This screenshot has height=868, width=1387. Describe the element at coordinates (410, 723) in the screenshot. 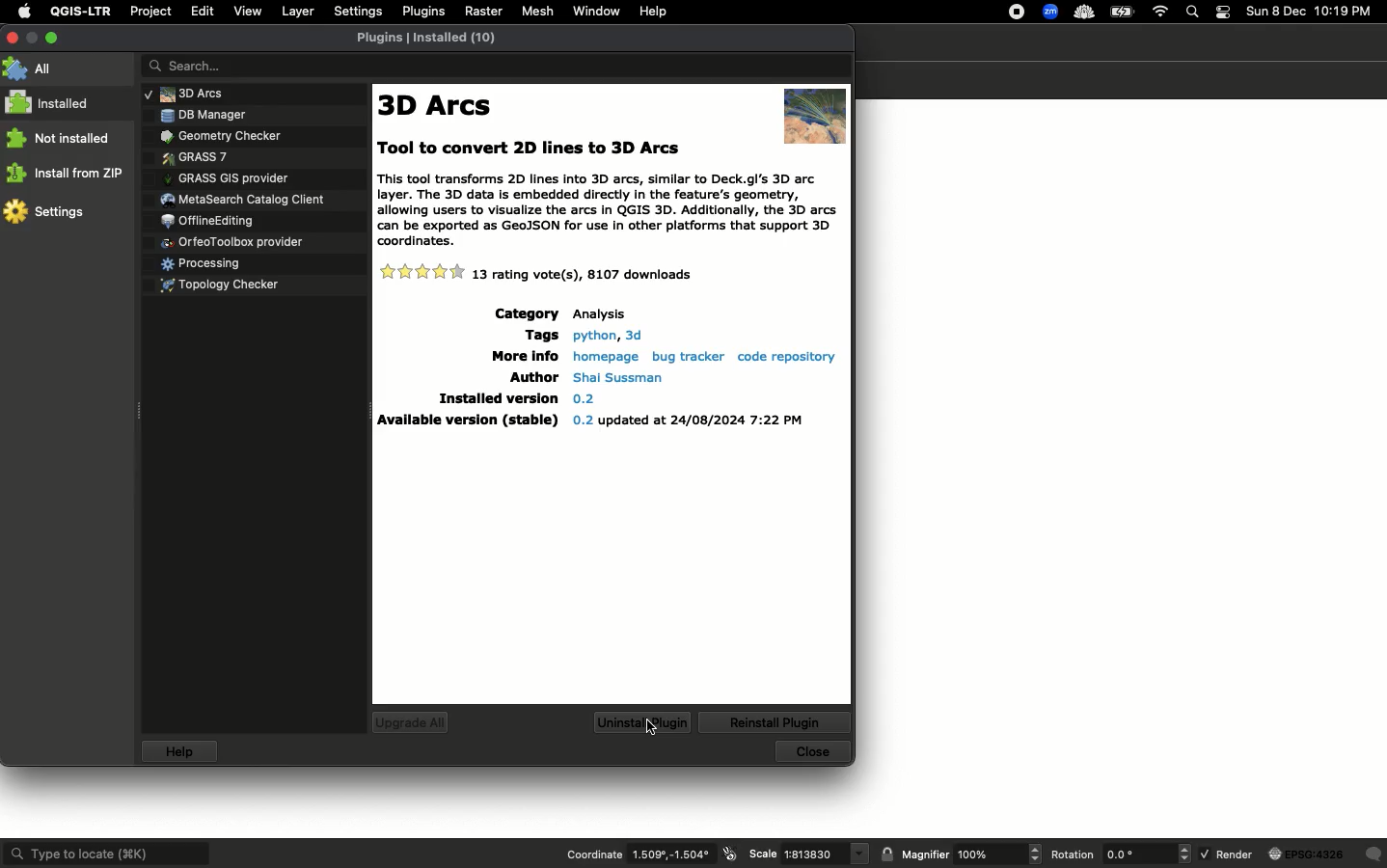

I see `Upgrade` at that location.